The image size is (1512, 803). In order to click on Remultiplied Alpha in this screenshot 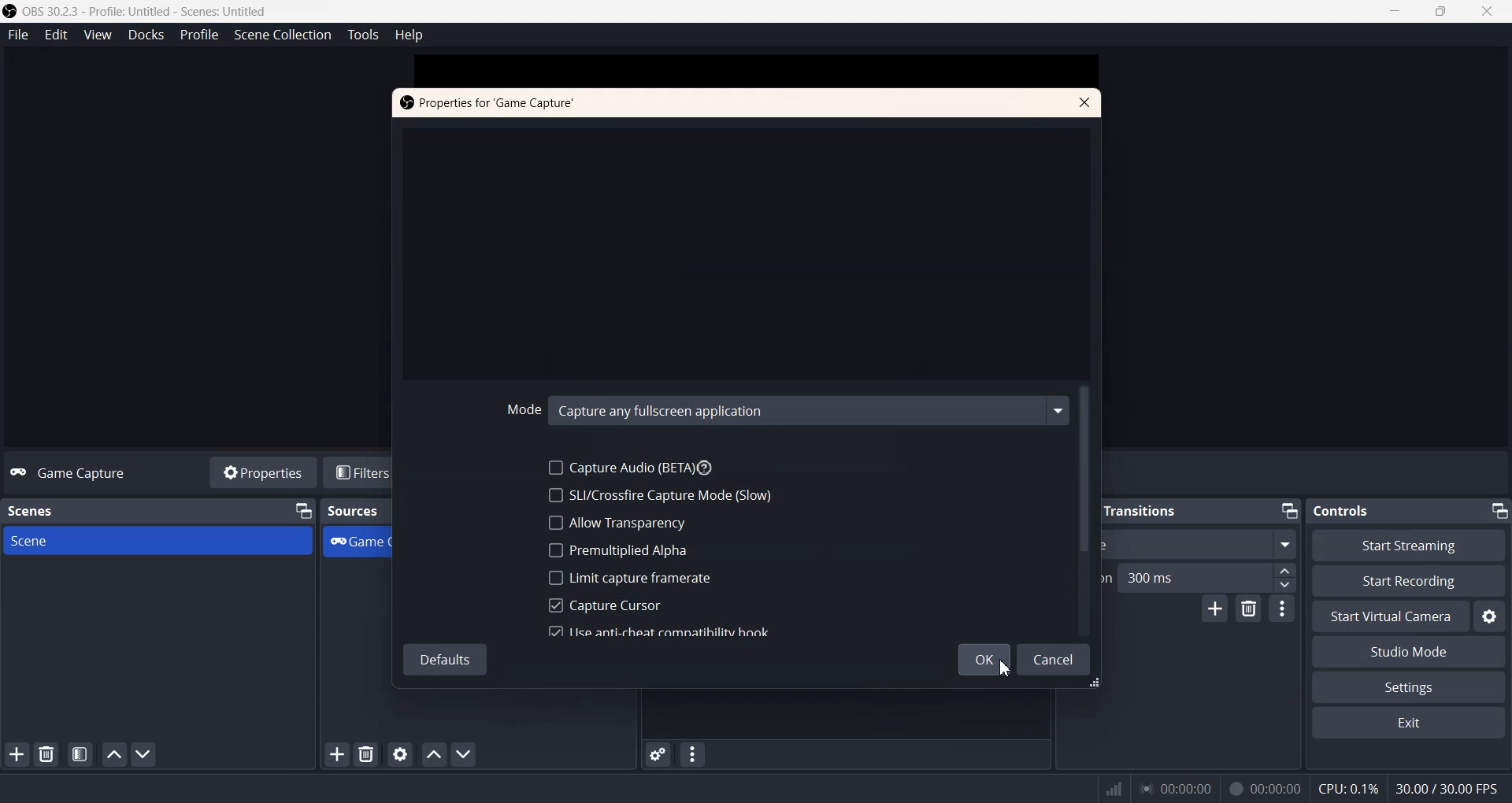, I will do `click(618, 550)`.